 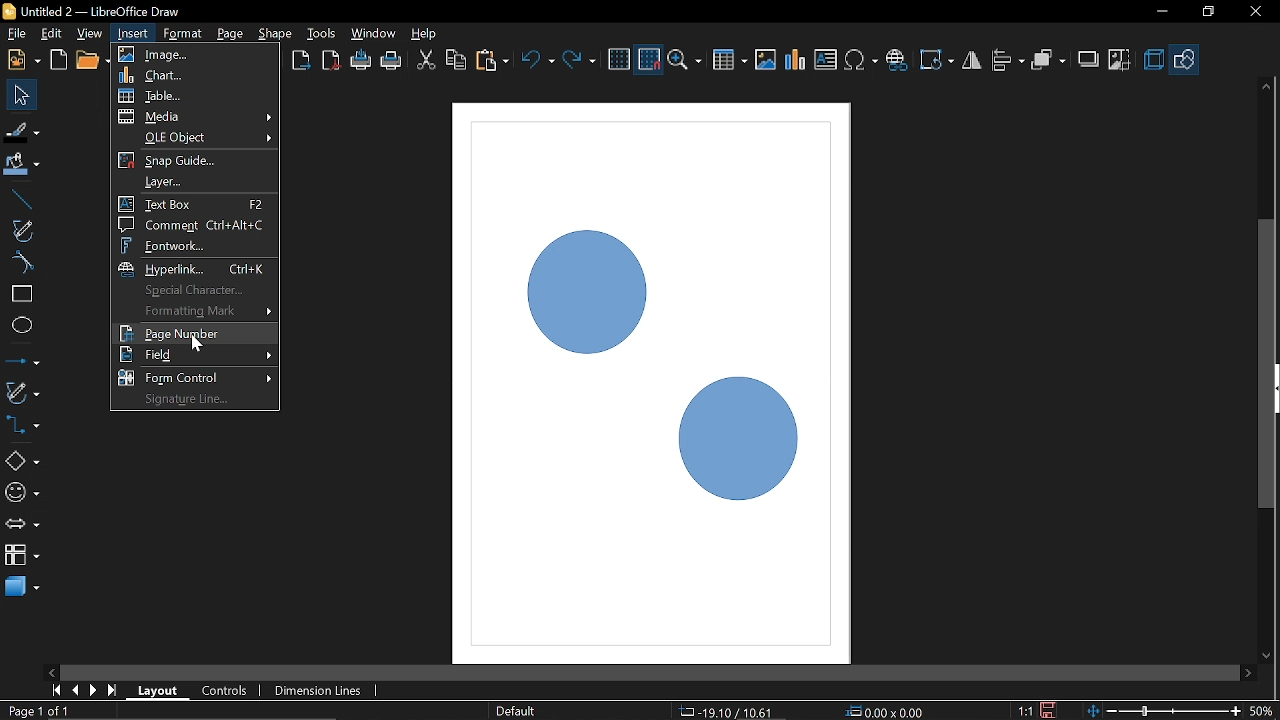 What do you see at coordinates (1272, 389) in the screenshot?
I see `Sidebar` at bounding box center [1272, 389].